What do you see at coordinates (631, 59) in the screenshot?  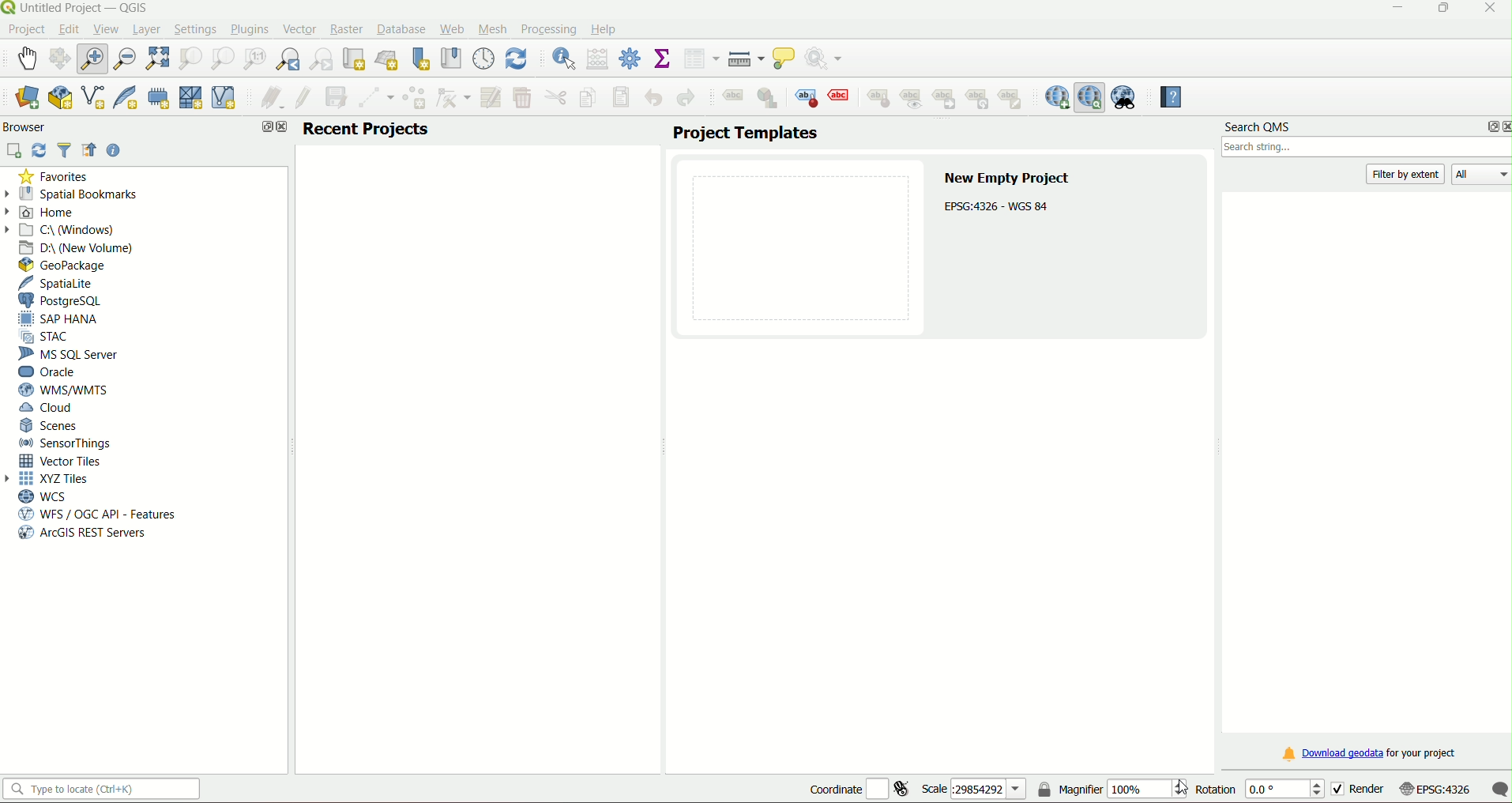 I see `toolbox` at bounding box center [631, 59].